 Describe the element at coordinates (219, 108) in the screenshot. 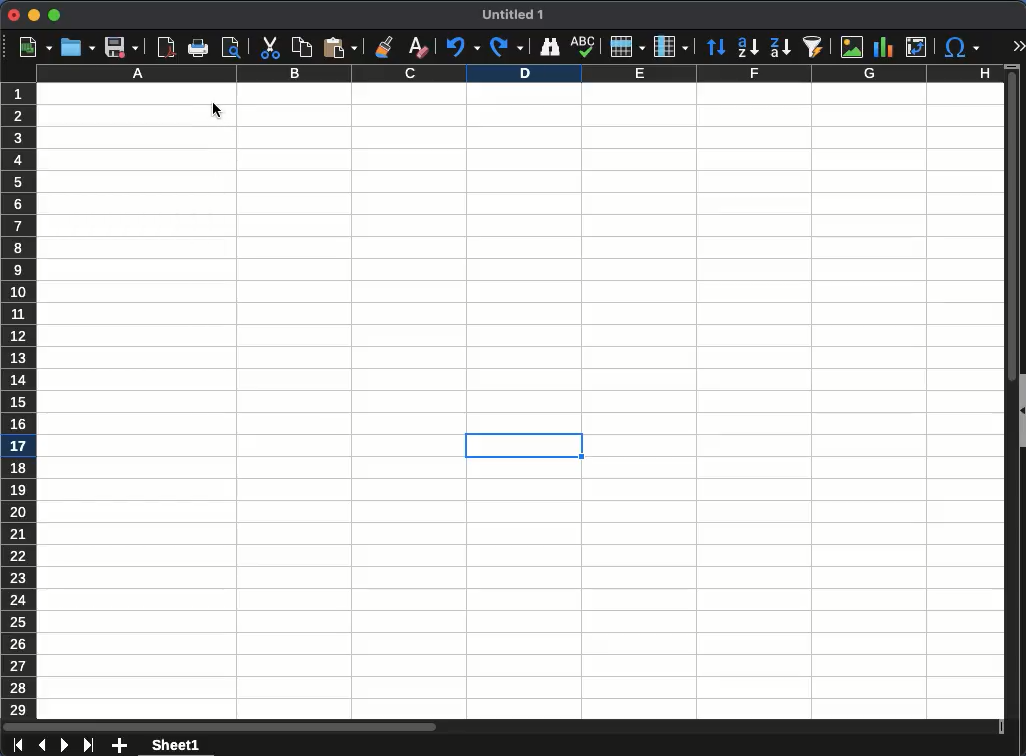

I see `cursor` at that location.